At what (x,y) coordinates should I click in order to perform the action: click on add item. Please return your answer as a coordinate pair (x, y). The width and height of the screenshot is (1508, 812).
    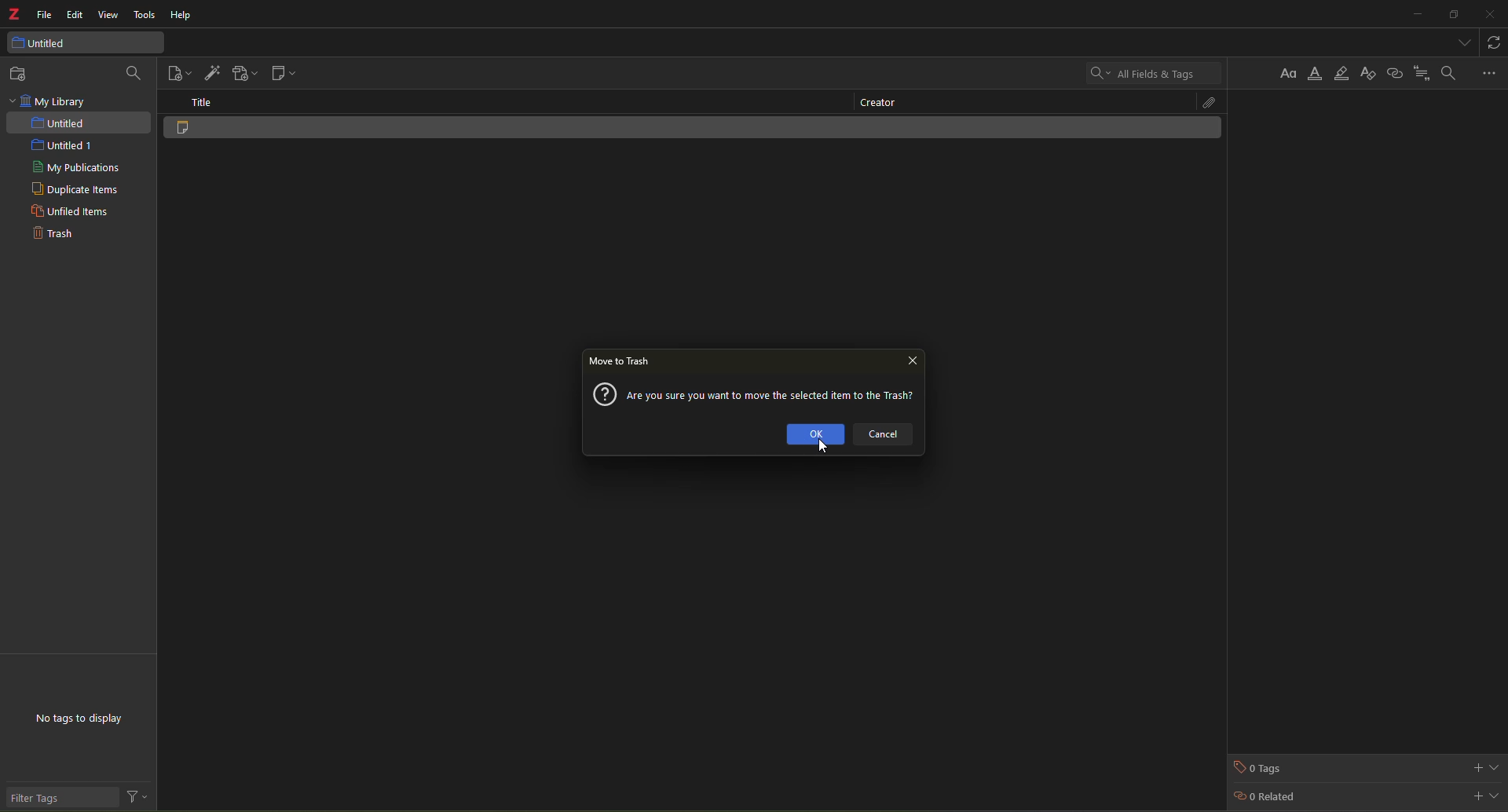
    Looking at the image, I should click on (212, 72).